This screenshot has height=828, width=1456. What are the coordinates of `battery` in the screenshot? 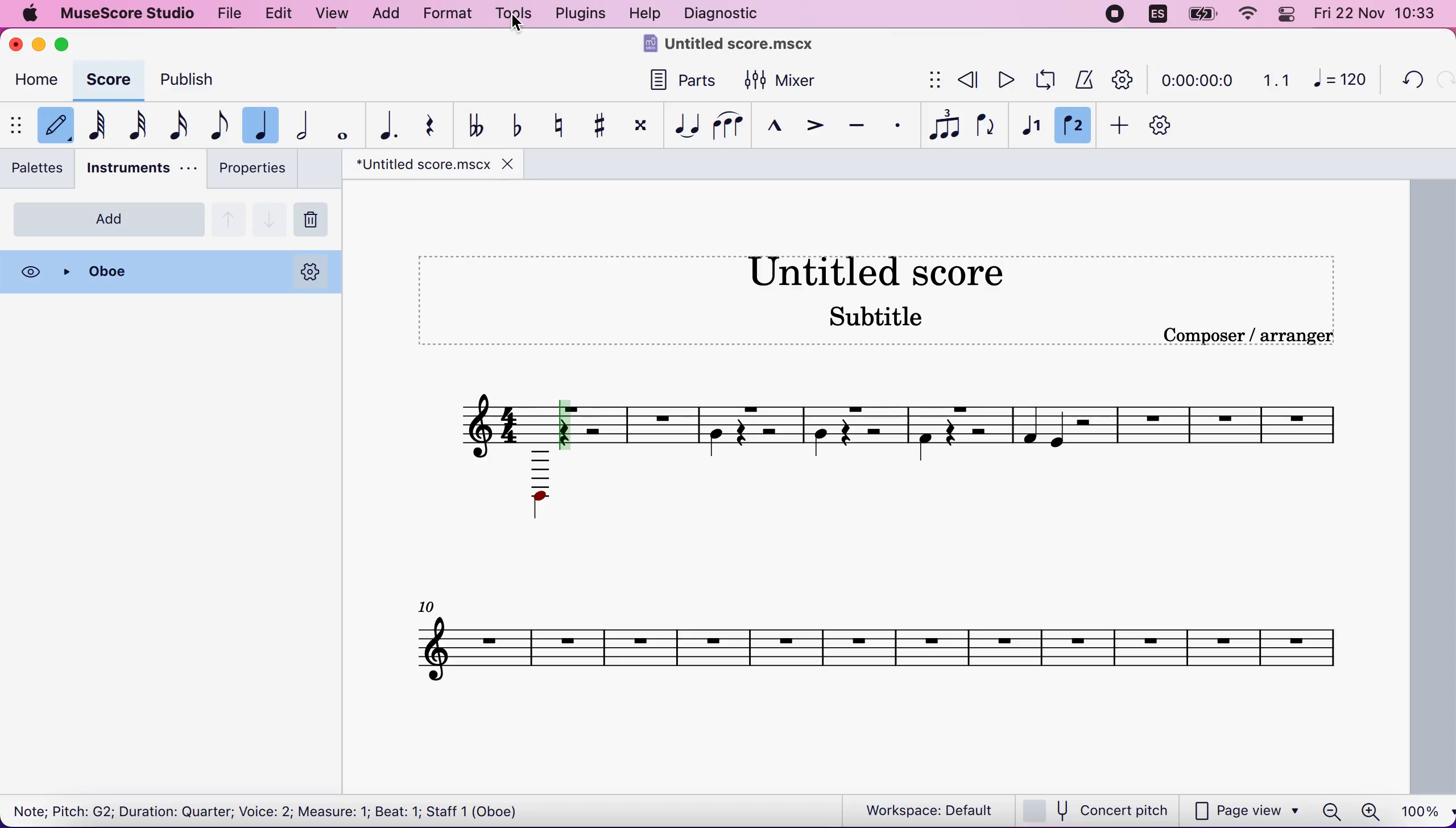 It's located at (1199, 15).